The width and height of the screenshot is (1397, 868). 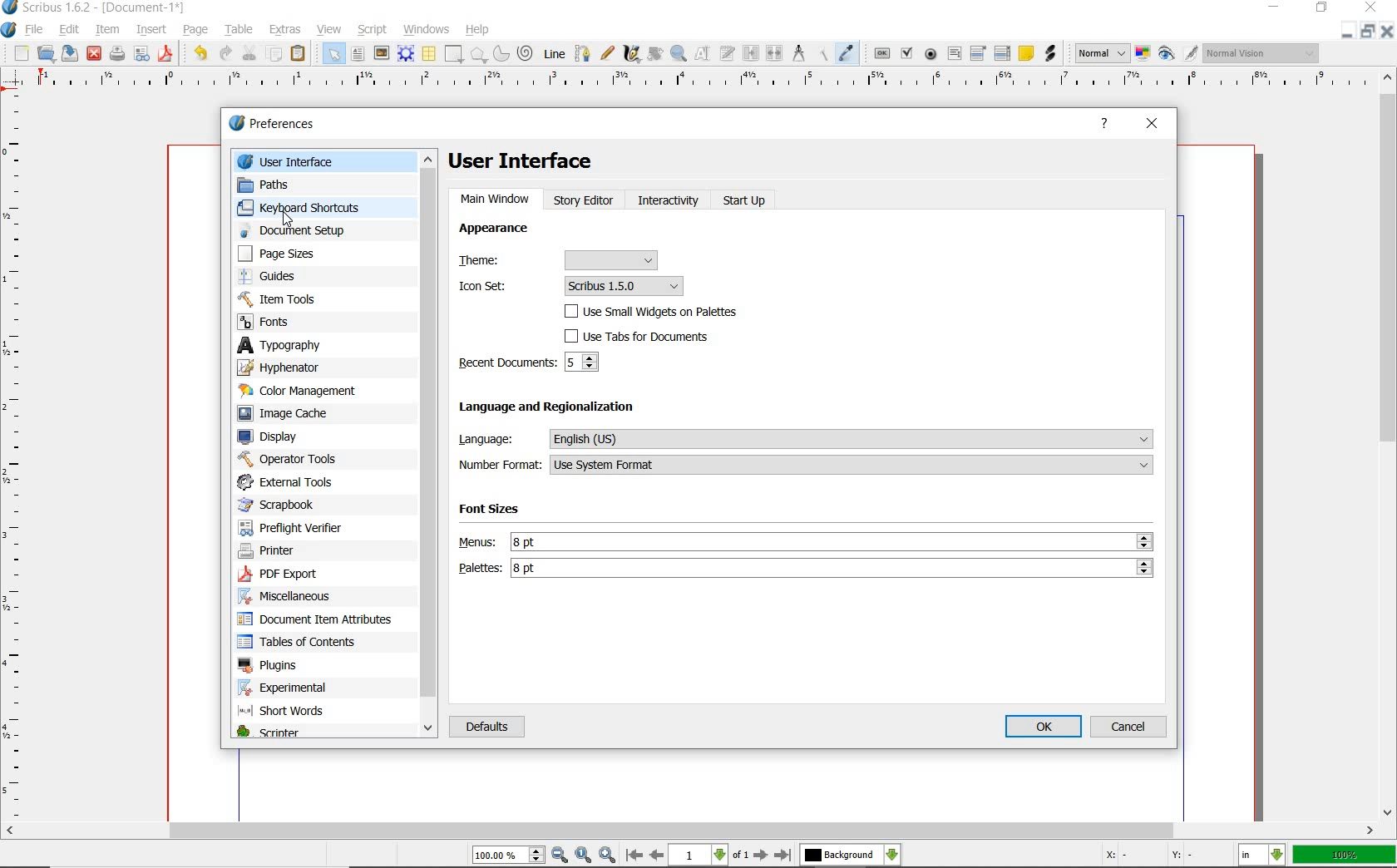 What do you see at coordinates (1389, 445) in the screenshot?
I see `scrollbar` at bounding box center [1389, 445].